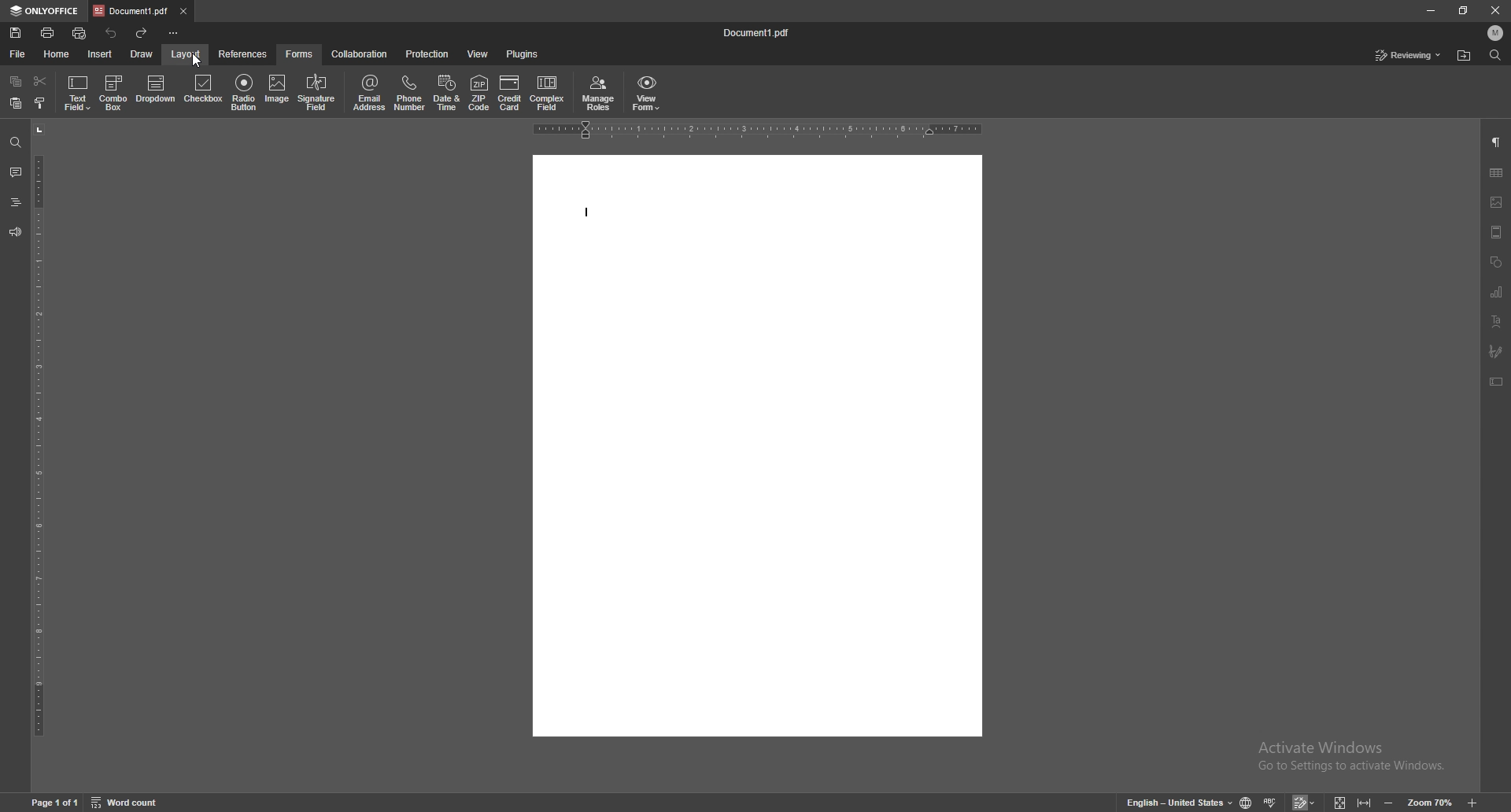 The height and width of the screenshot is (812, 1511). I want to click on close tab, so click(183, 10).